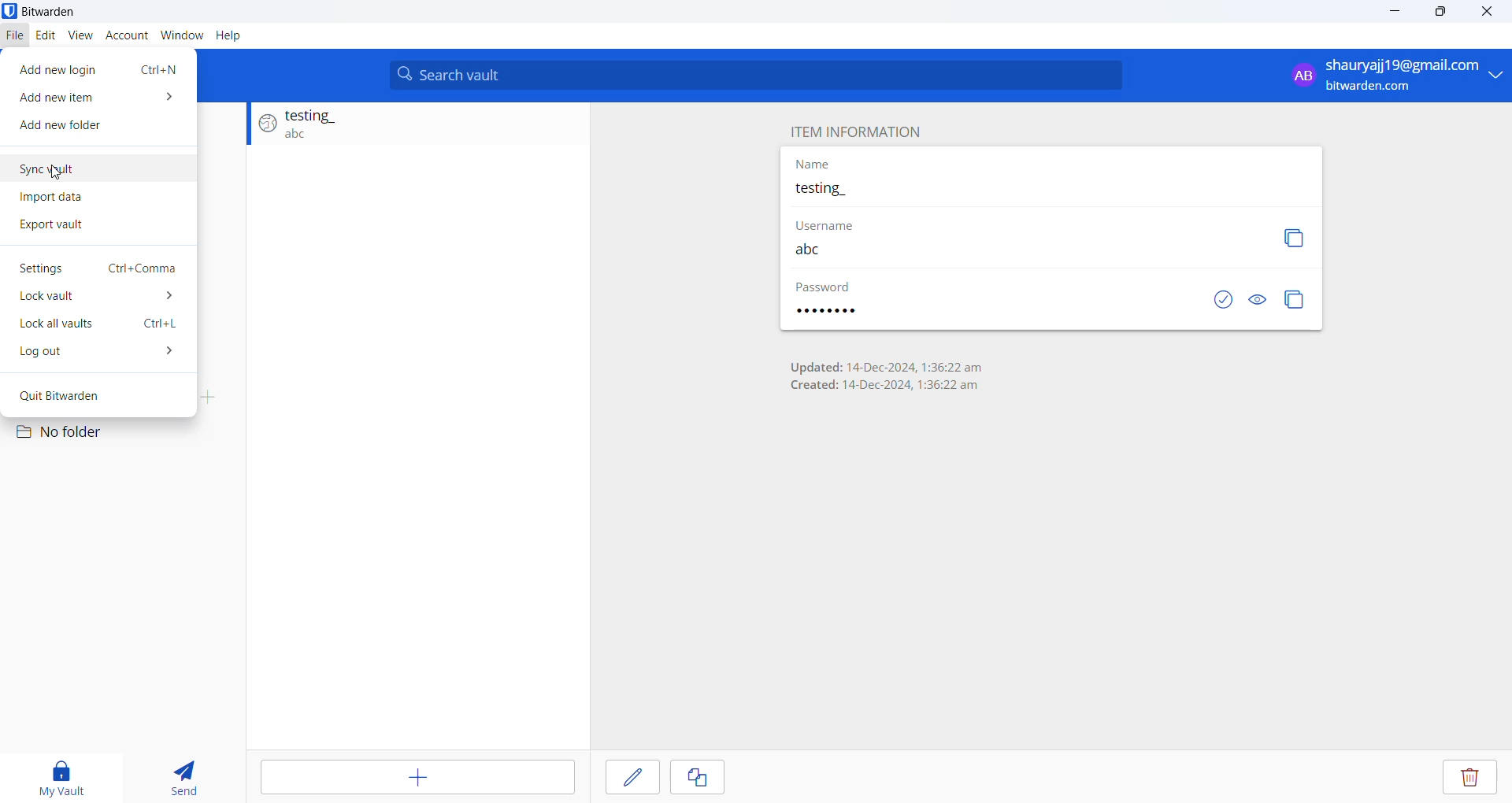 The width and height of the screenshot is (1512, 803). I want to click on No folder, so click(78, 434).